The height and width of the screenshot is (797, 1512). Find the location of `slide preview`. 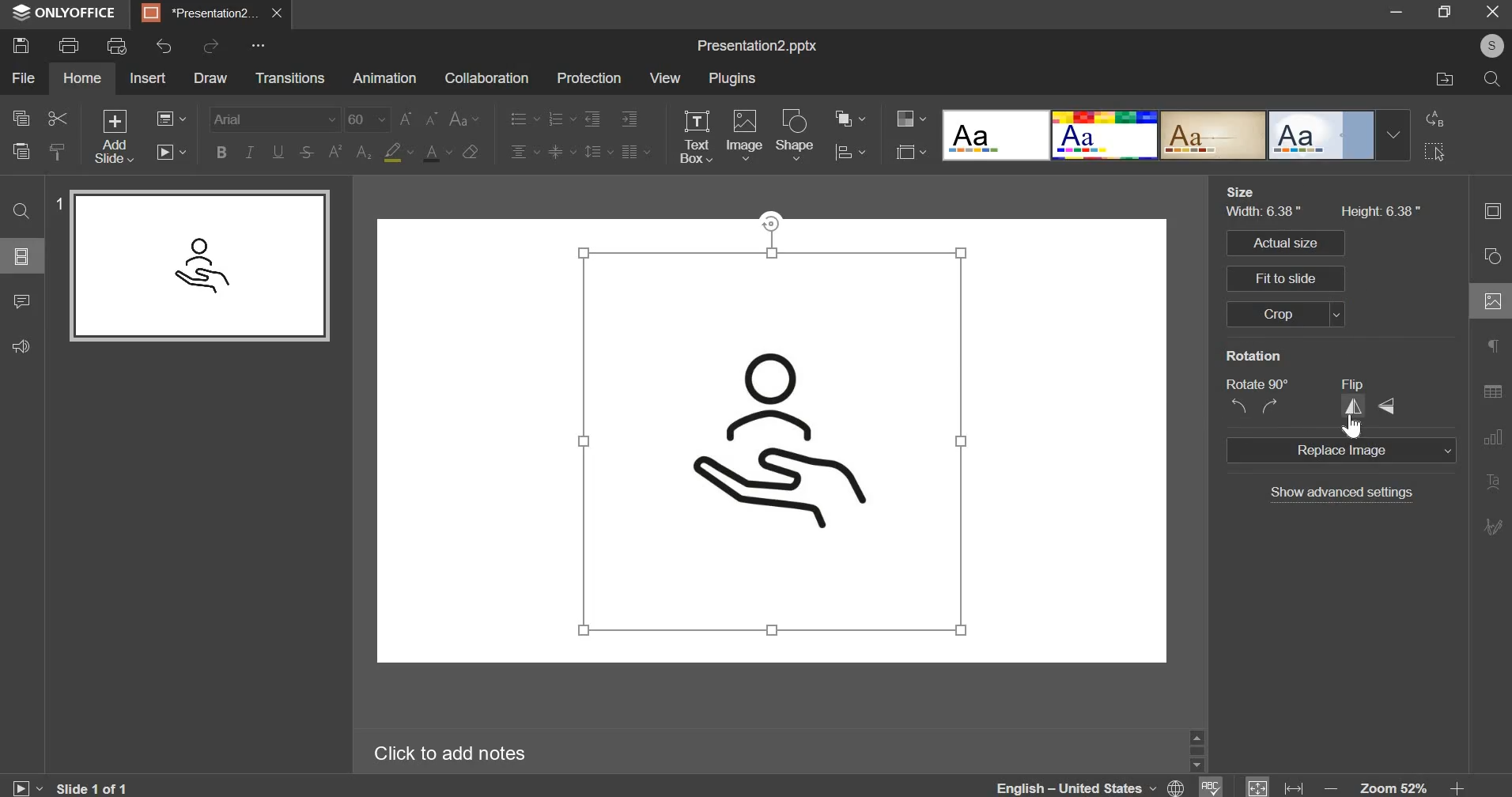

slide preview is located at coordinates (197, 265).